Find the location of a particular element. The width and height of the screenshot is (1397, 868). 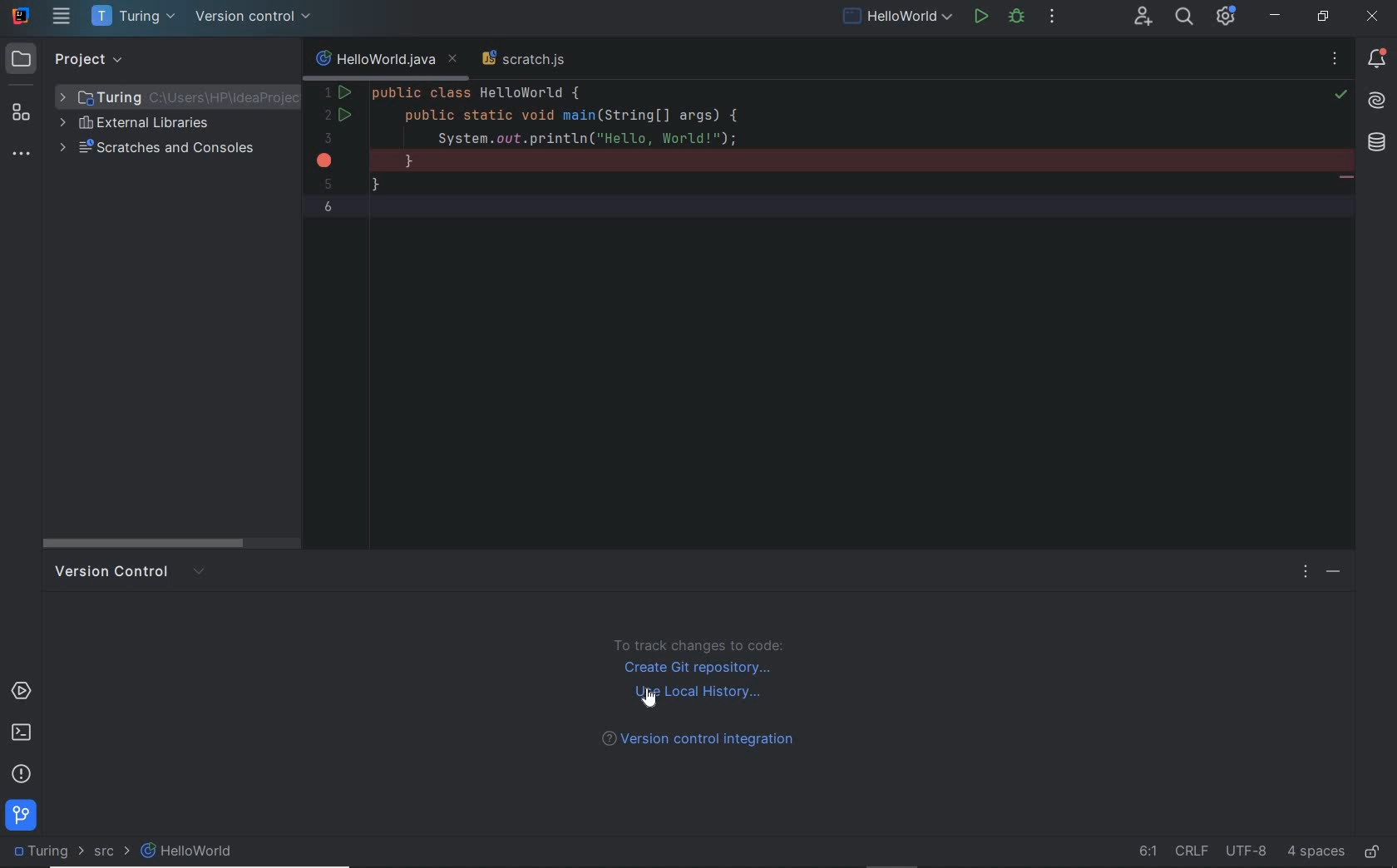

3 is located at coordinates (327, 138).